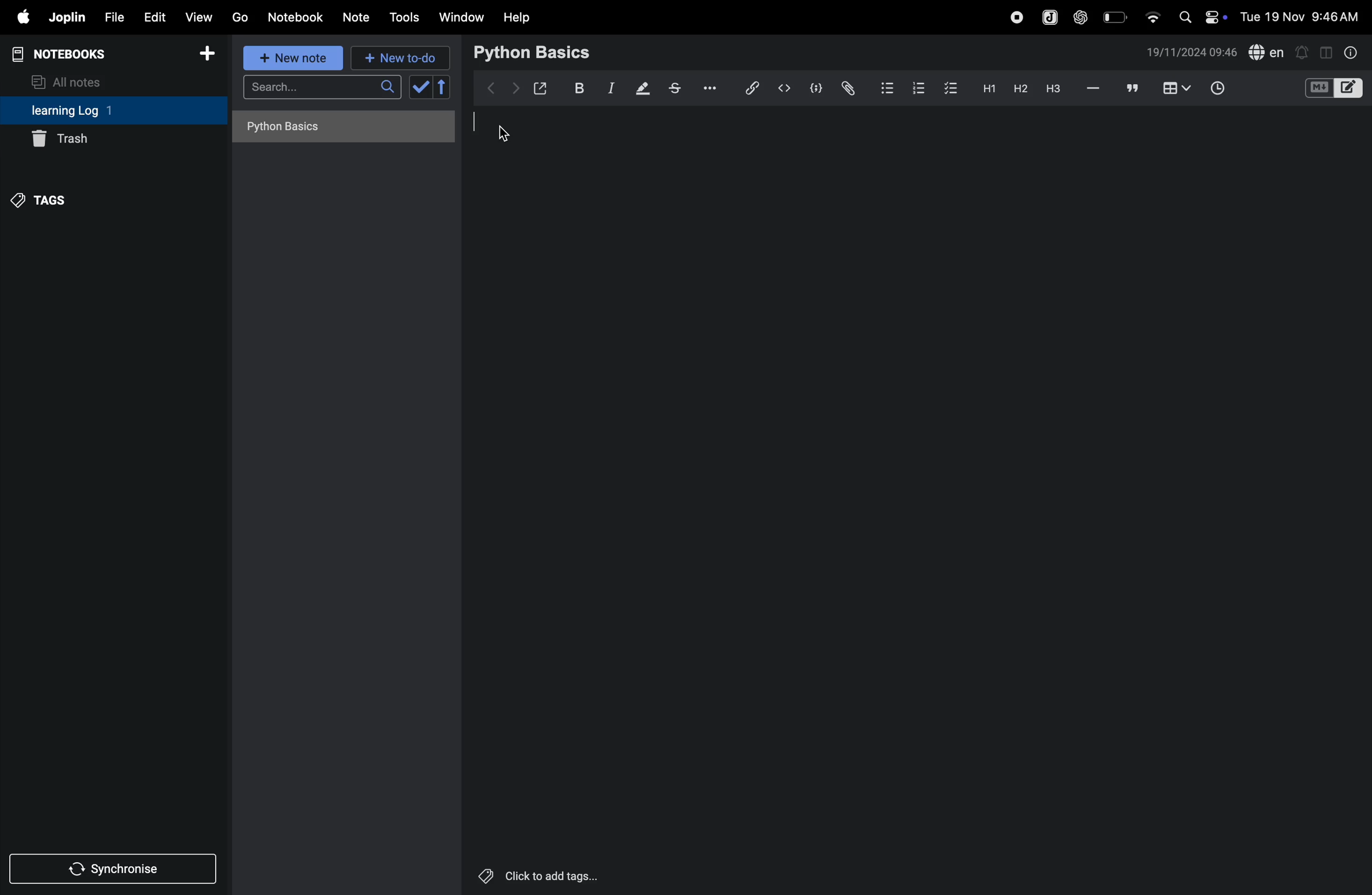 The height and width of the screenshot is (895, 1372). I want to click on comment, so click(1133, 89).